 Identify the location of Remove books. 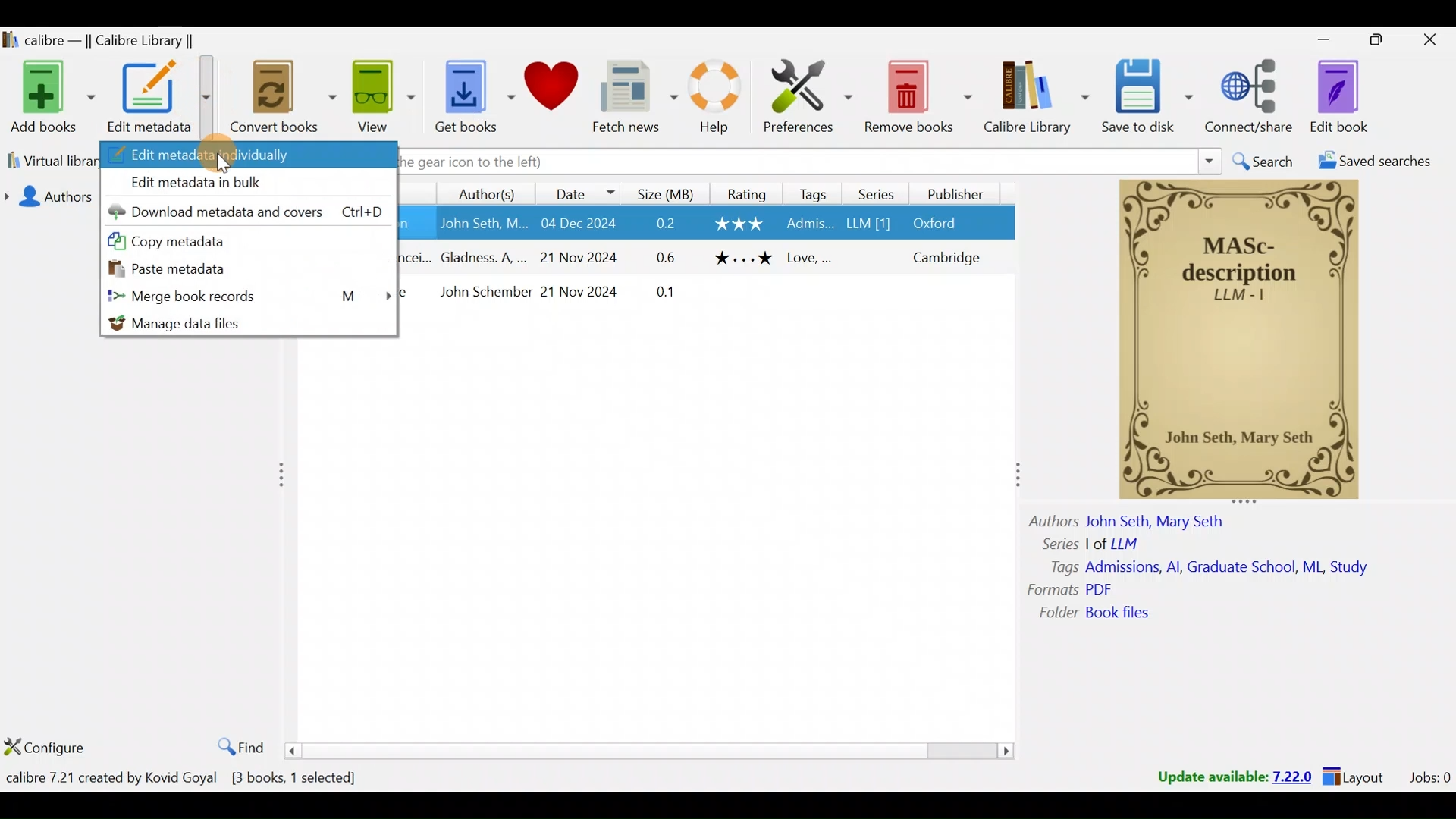
(920, 96).